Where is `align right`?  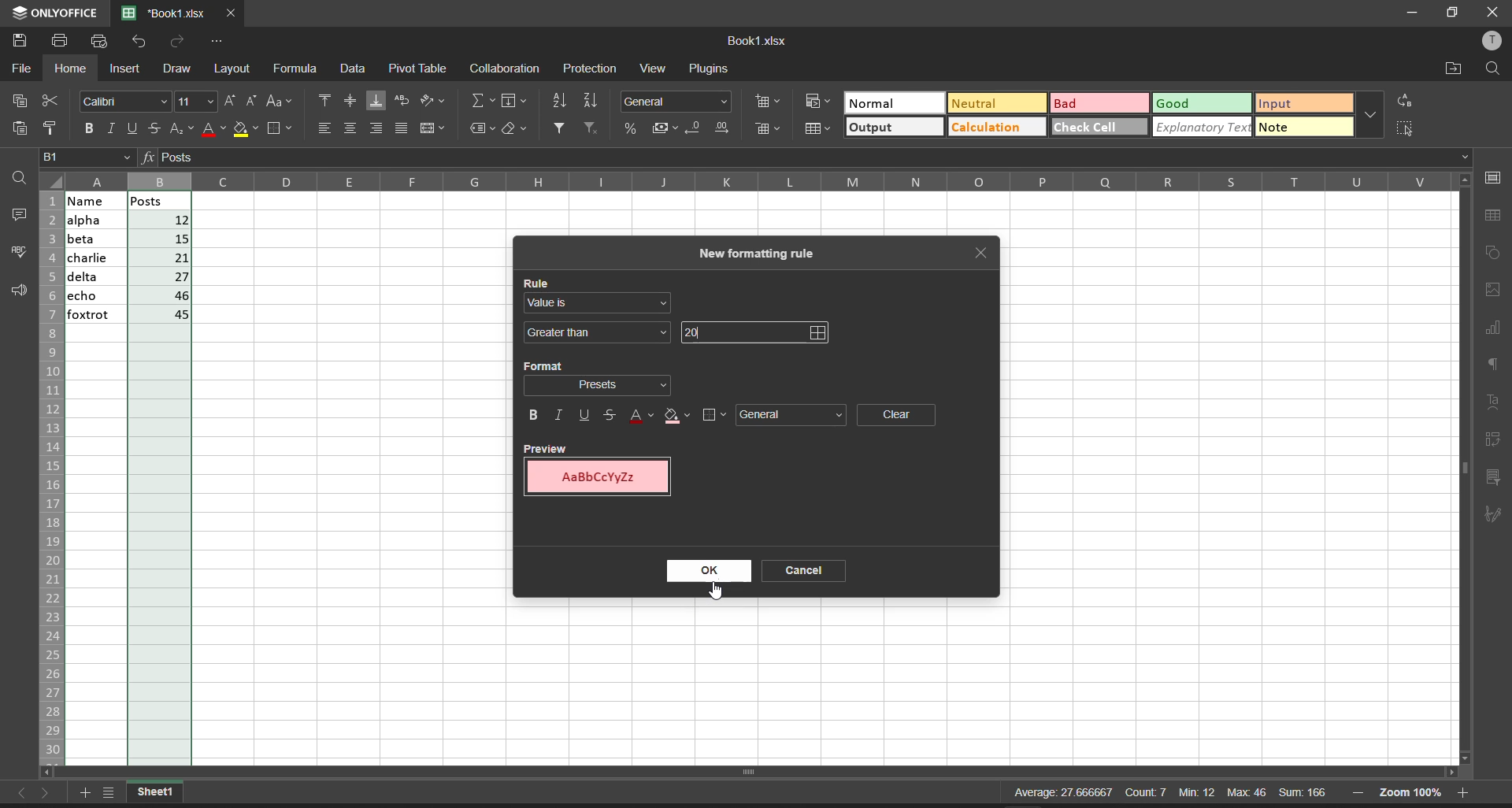
align right is located at coordinates (377, 129).